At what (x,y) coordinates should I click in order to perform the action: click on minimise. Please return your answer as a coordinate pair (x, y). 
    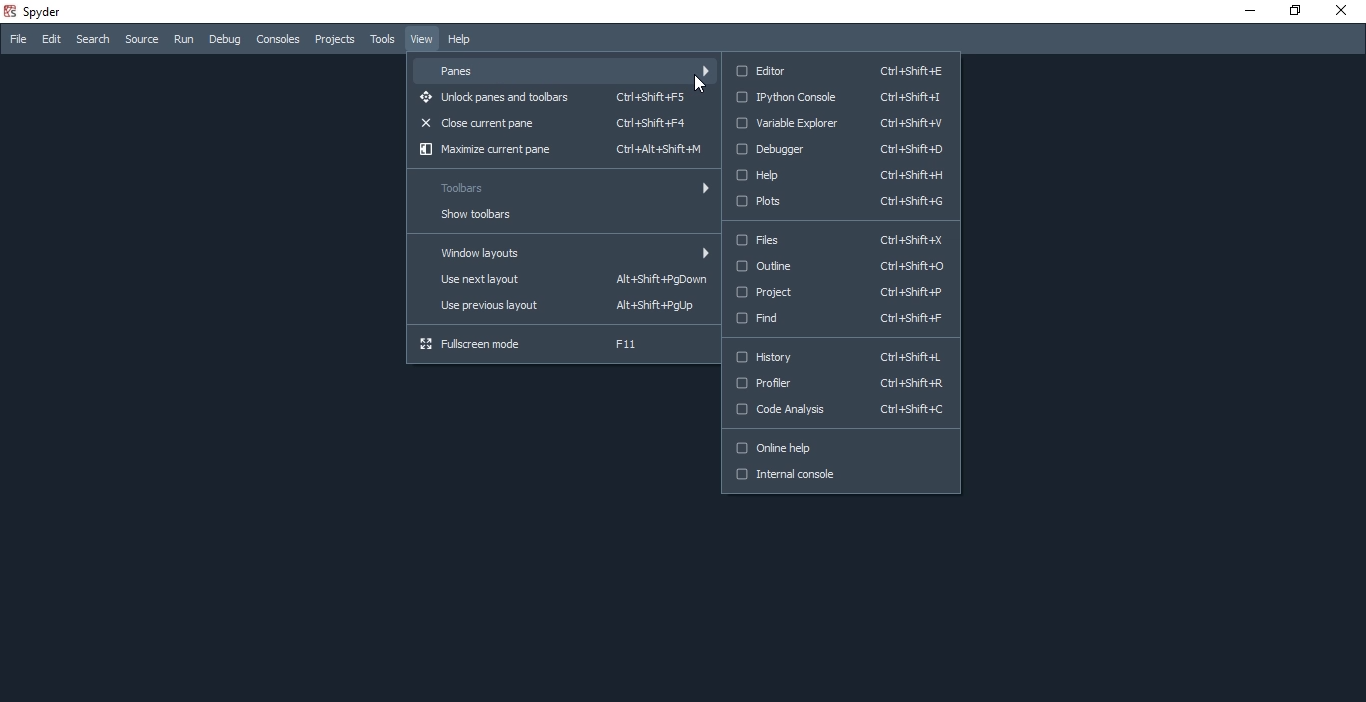
    Looking at the image, I should click on (1246, 14).